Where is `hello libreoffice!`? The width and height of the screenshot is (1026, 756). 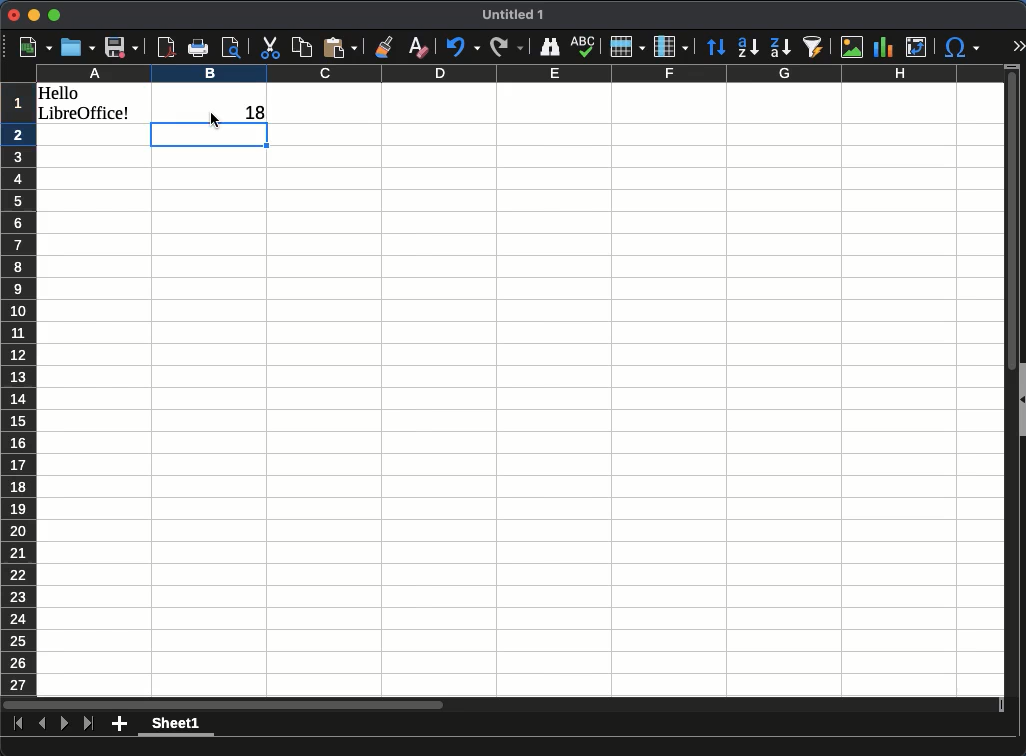
hello libreoffice! is located at coordinates (88, 103).